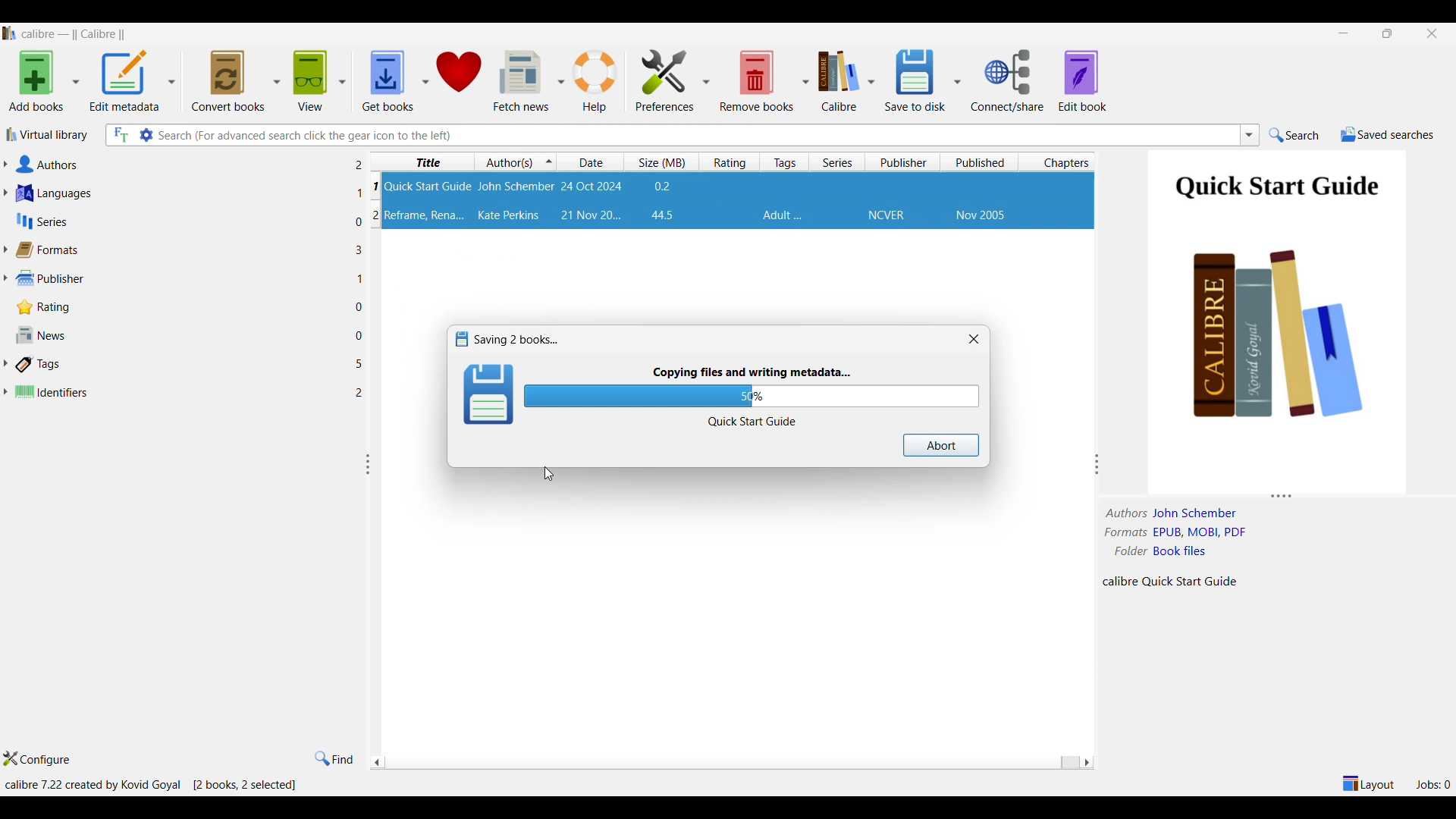 This screenshot has height=819, width=1456. I want to click on date, so click(591, 187).